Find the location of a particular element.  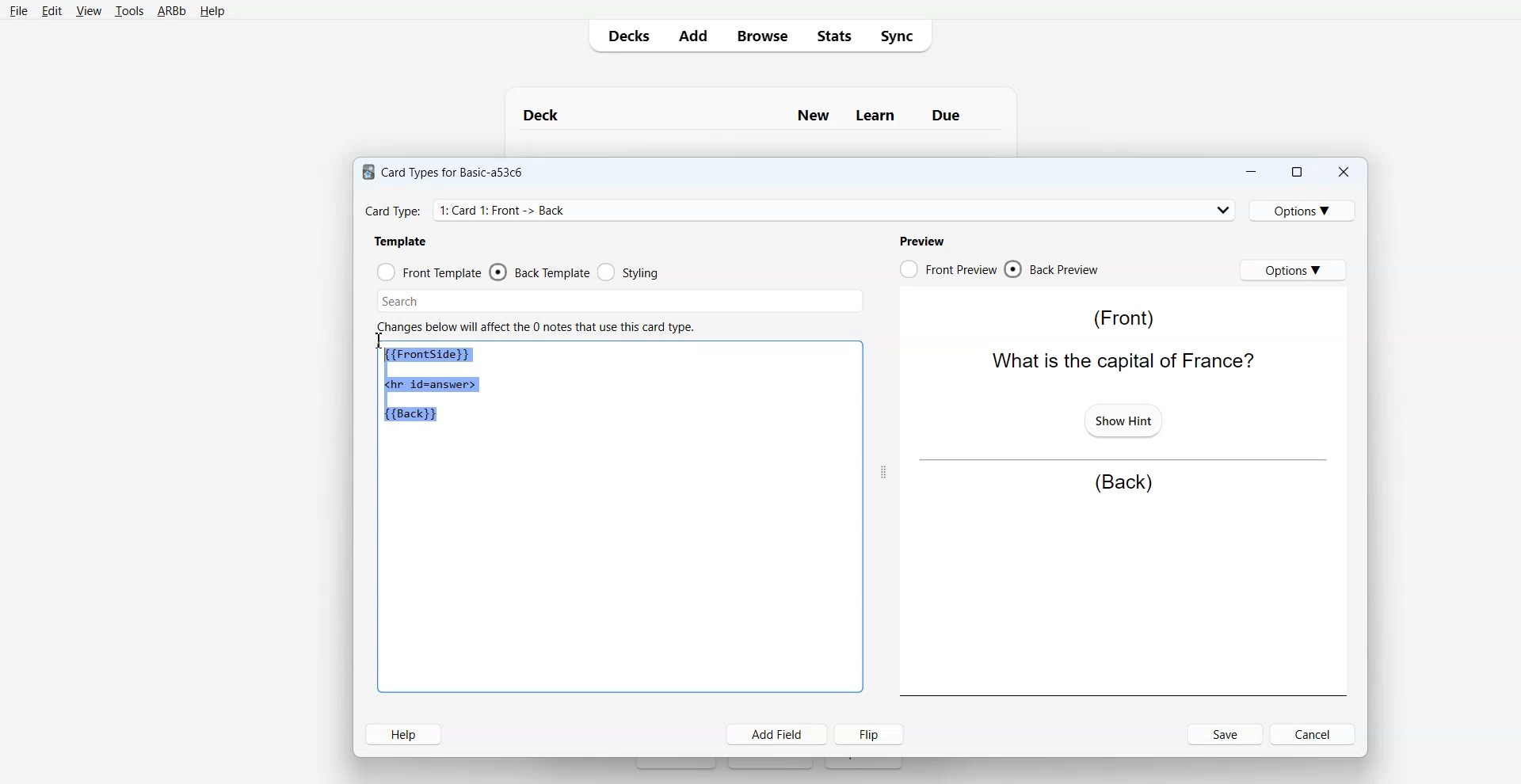

Options is located at coordinates (1293, 269).